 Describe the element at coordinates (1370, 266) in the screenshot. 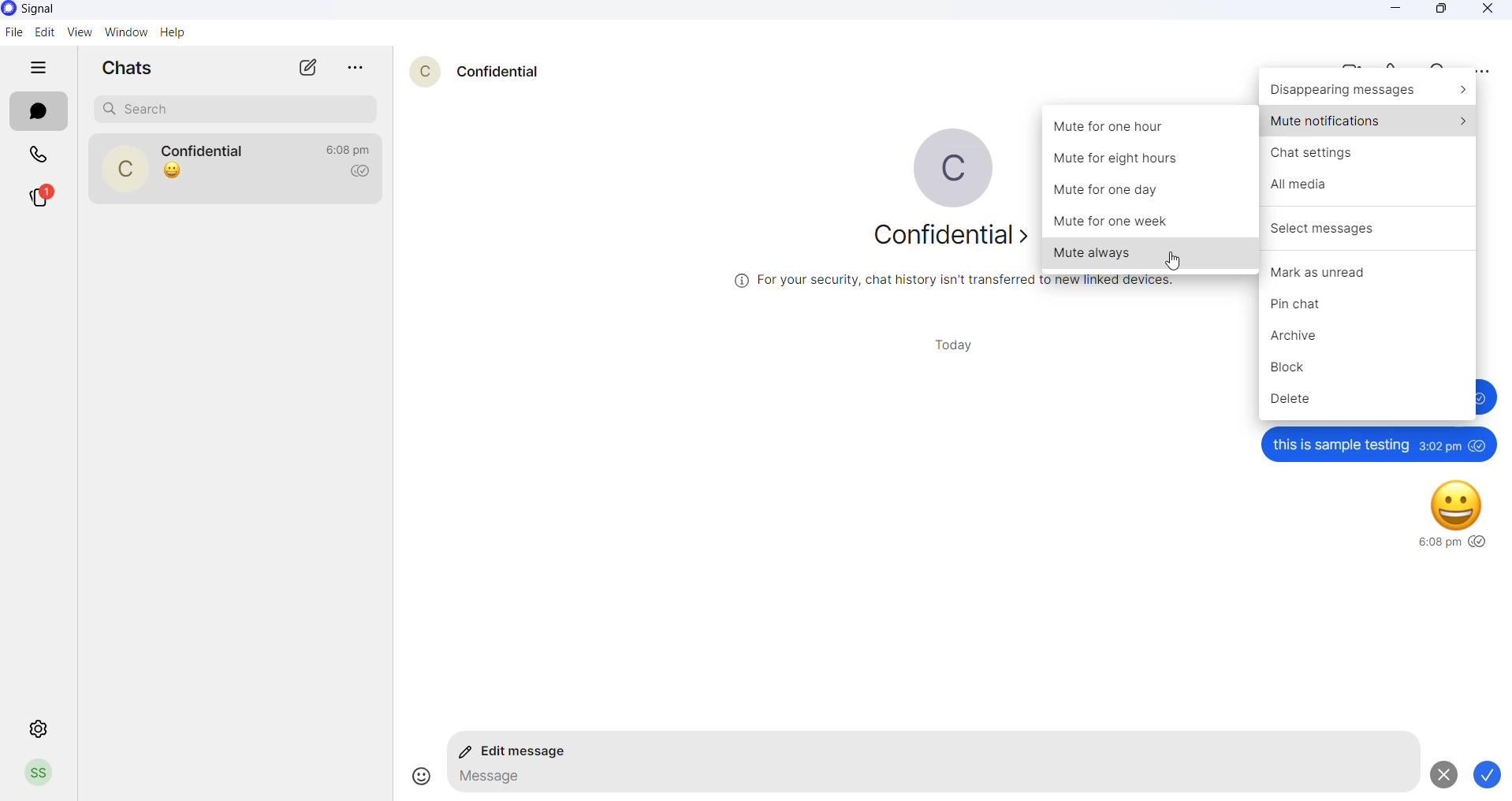

I see `mark as unread` at that location.